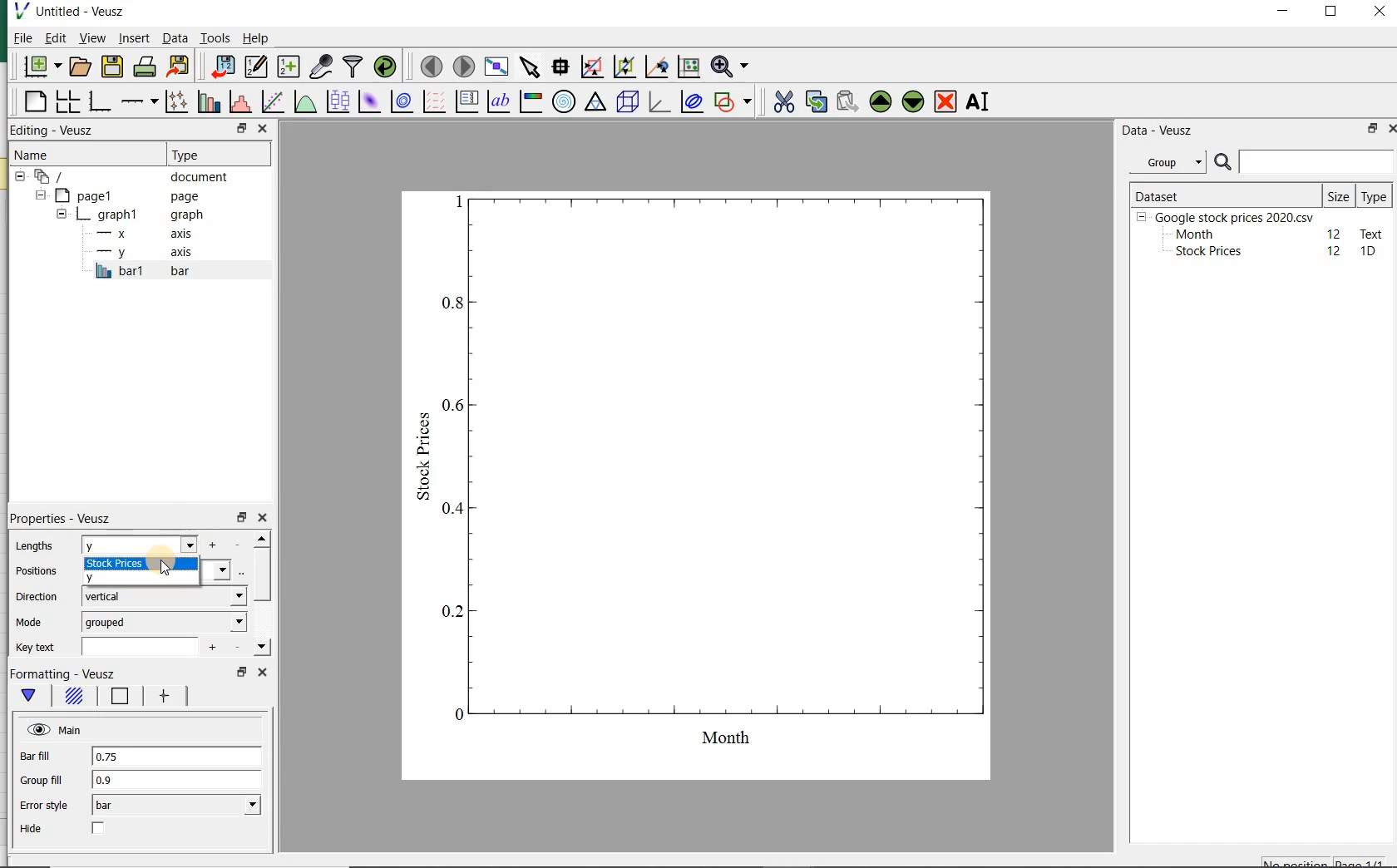 This screenshot has width=1397, height=868. What do you see at coordinates (141, 253) in the screenshot?
I see `y-axis` at bounding box center [141, 253].